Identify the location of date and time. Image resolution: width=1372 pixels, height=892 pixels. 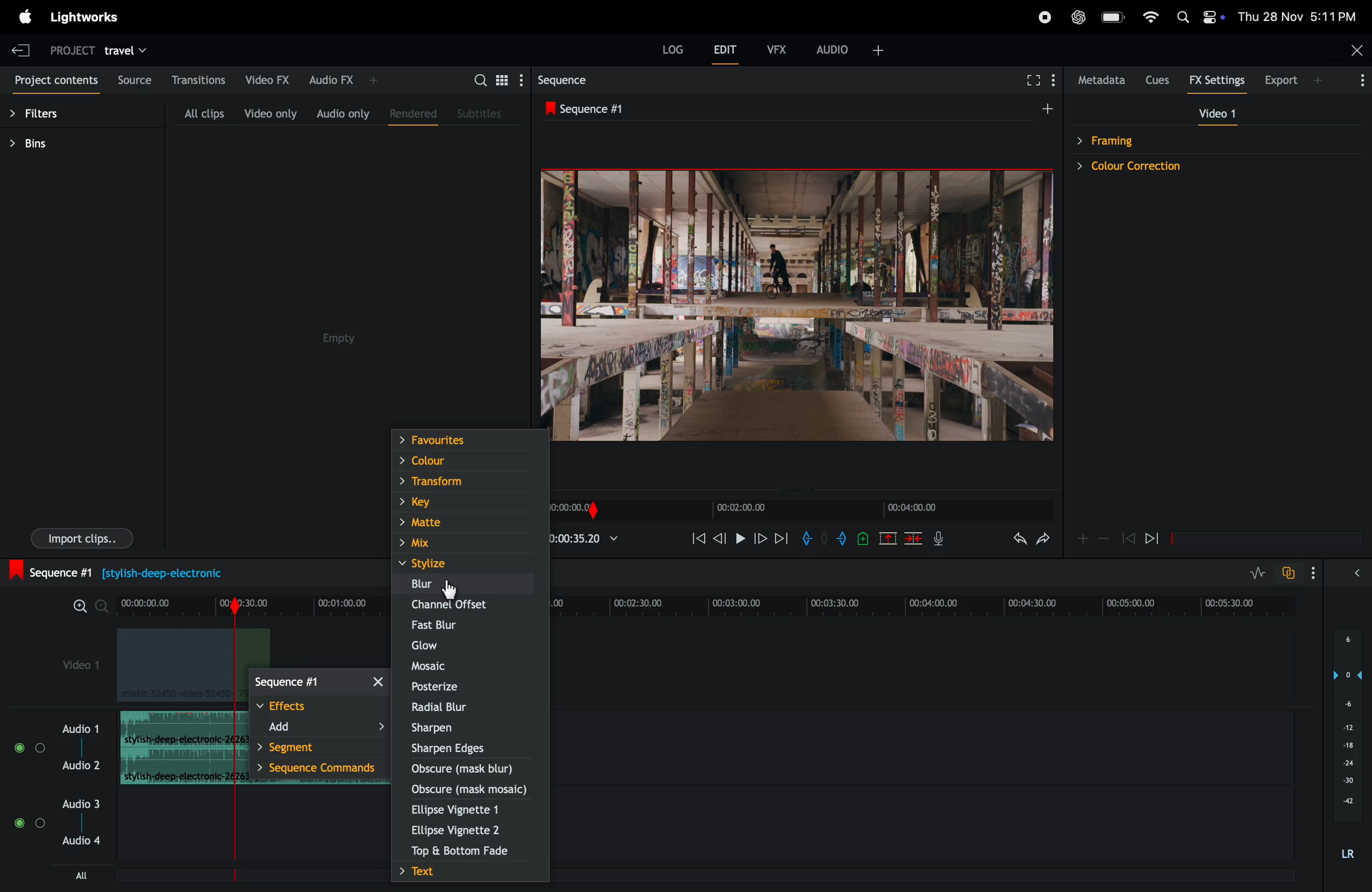
(1297, 16).